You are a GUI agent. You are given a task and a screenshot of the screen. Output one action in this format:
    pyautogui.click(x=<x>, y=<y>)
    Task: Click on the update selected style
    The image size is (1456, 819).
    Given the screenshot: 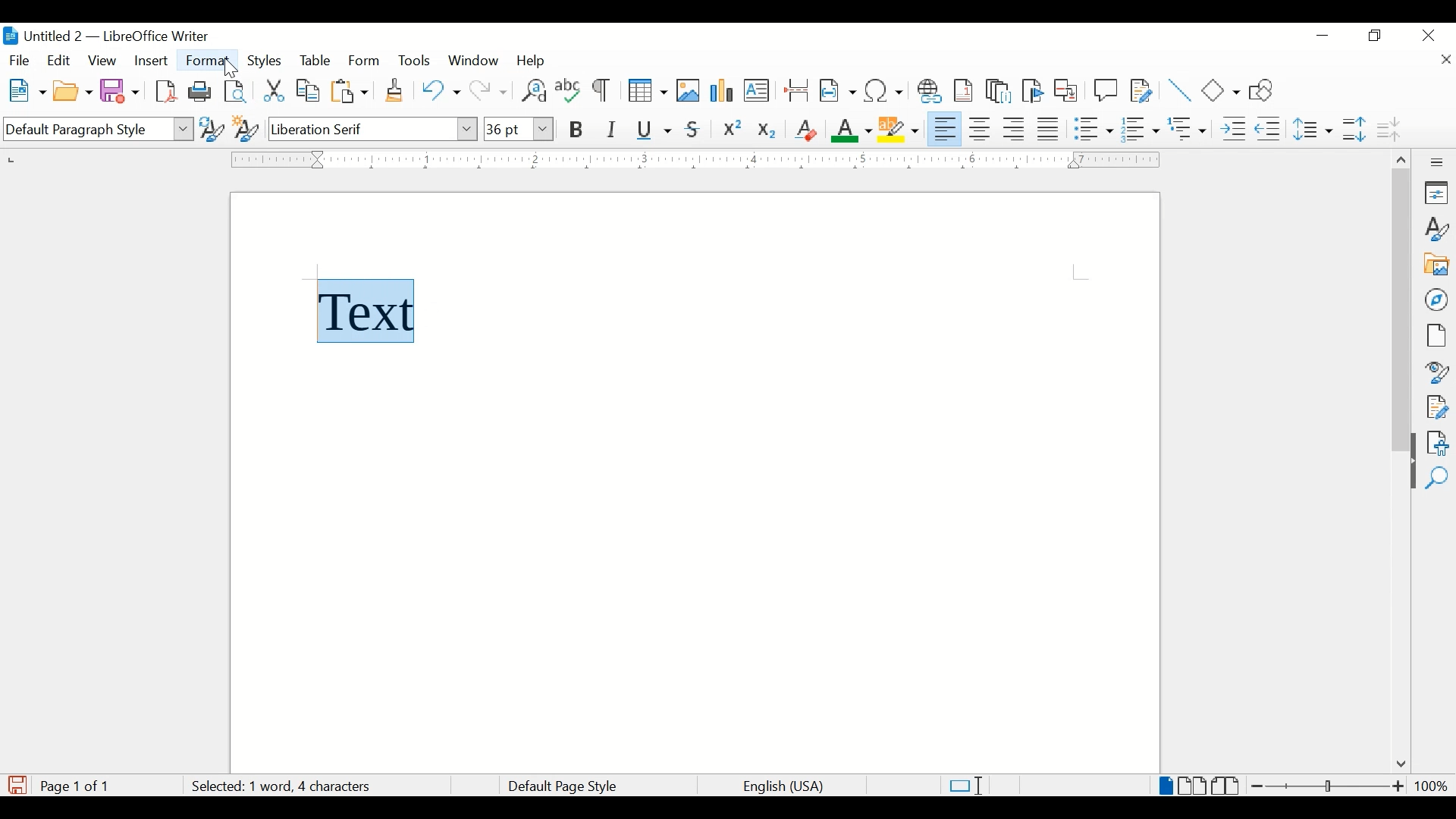 What is the action you would take?
    pyautogui.click(x=212, y=128)
    